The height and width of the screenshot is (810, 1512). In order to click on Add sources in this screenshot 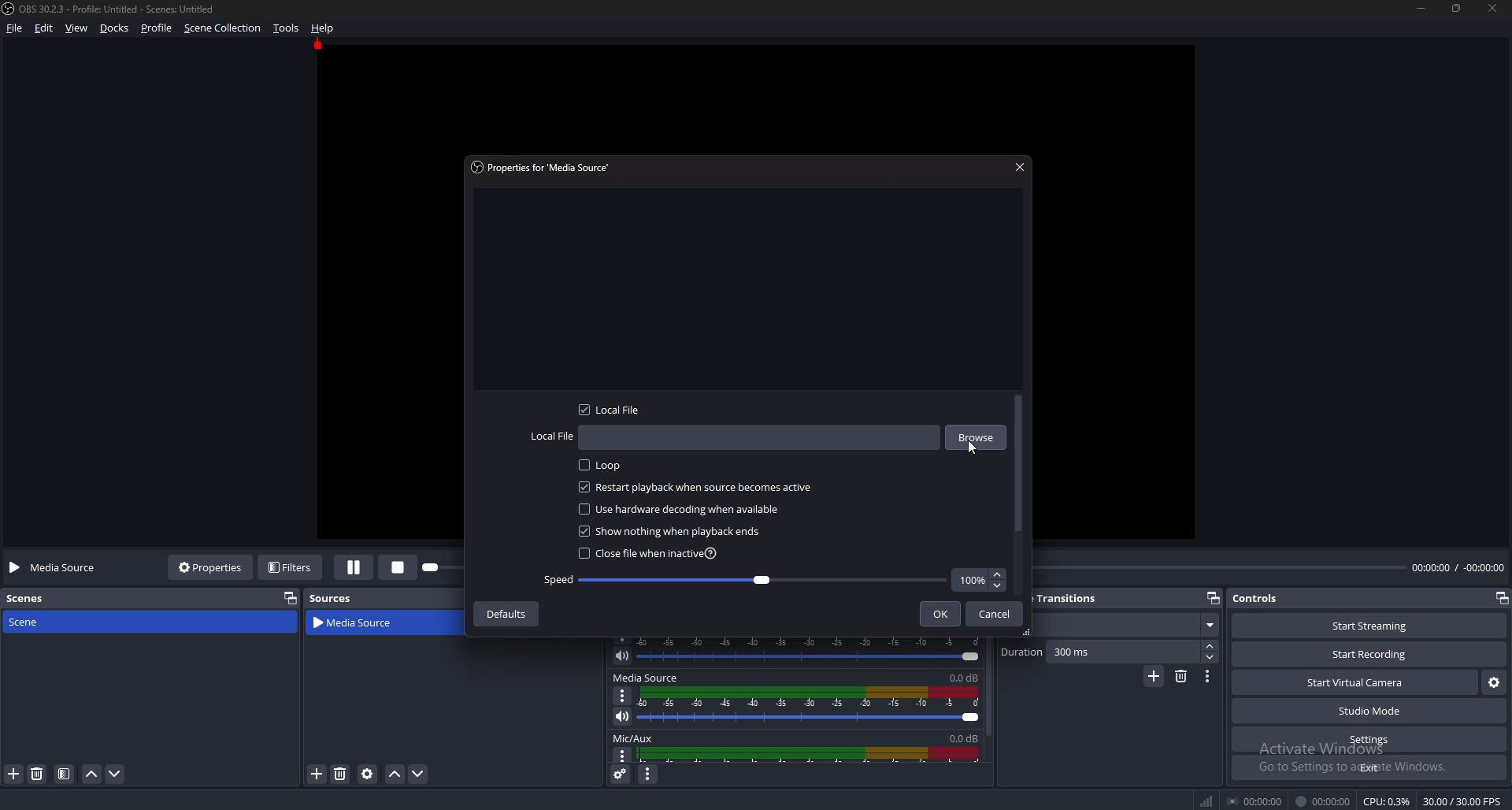, I will do `click(315, 773)`.